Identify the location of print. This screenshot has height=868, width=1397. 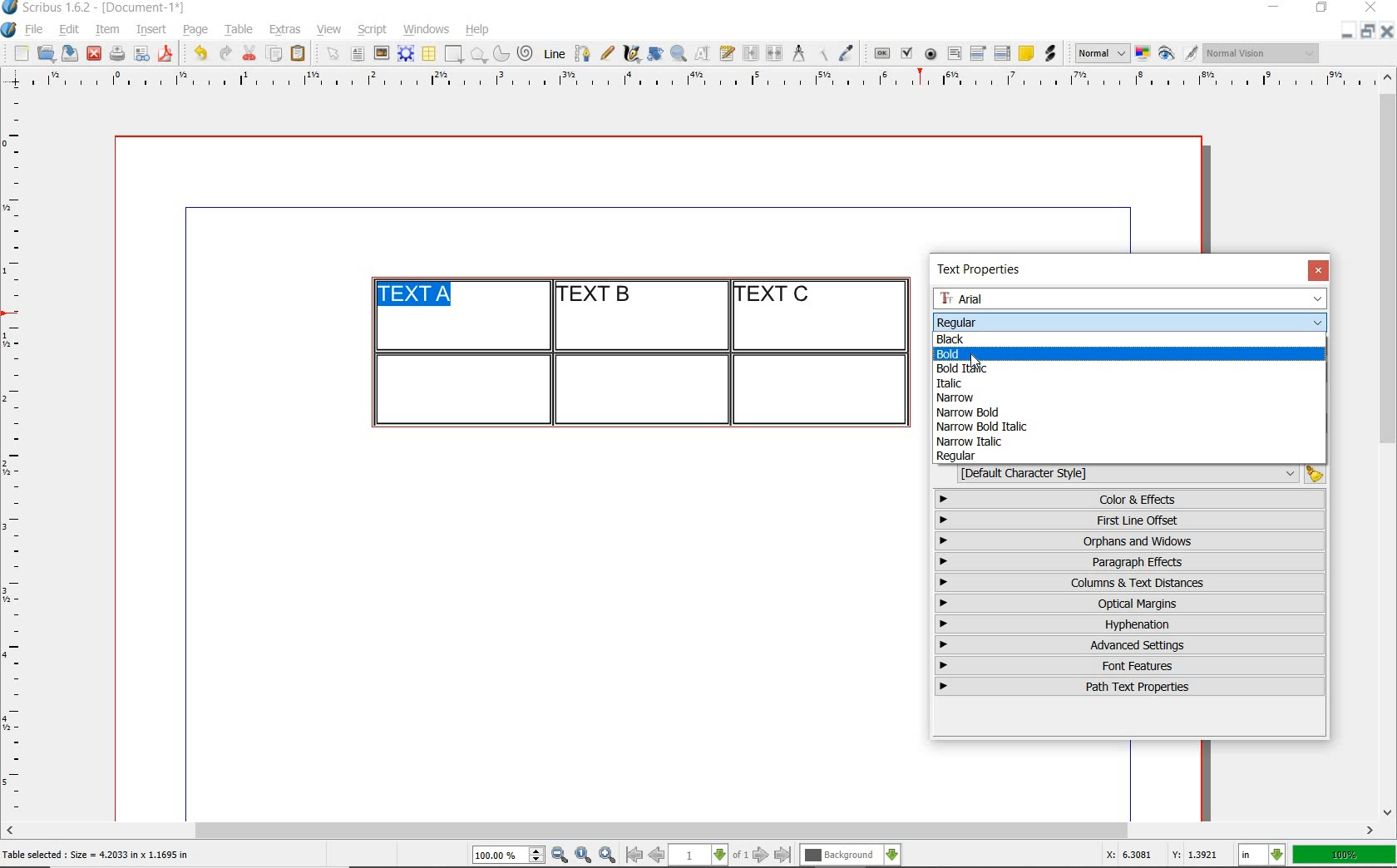
(116, 53).